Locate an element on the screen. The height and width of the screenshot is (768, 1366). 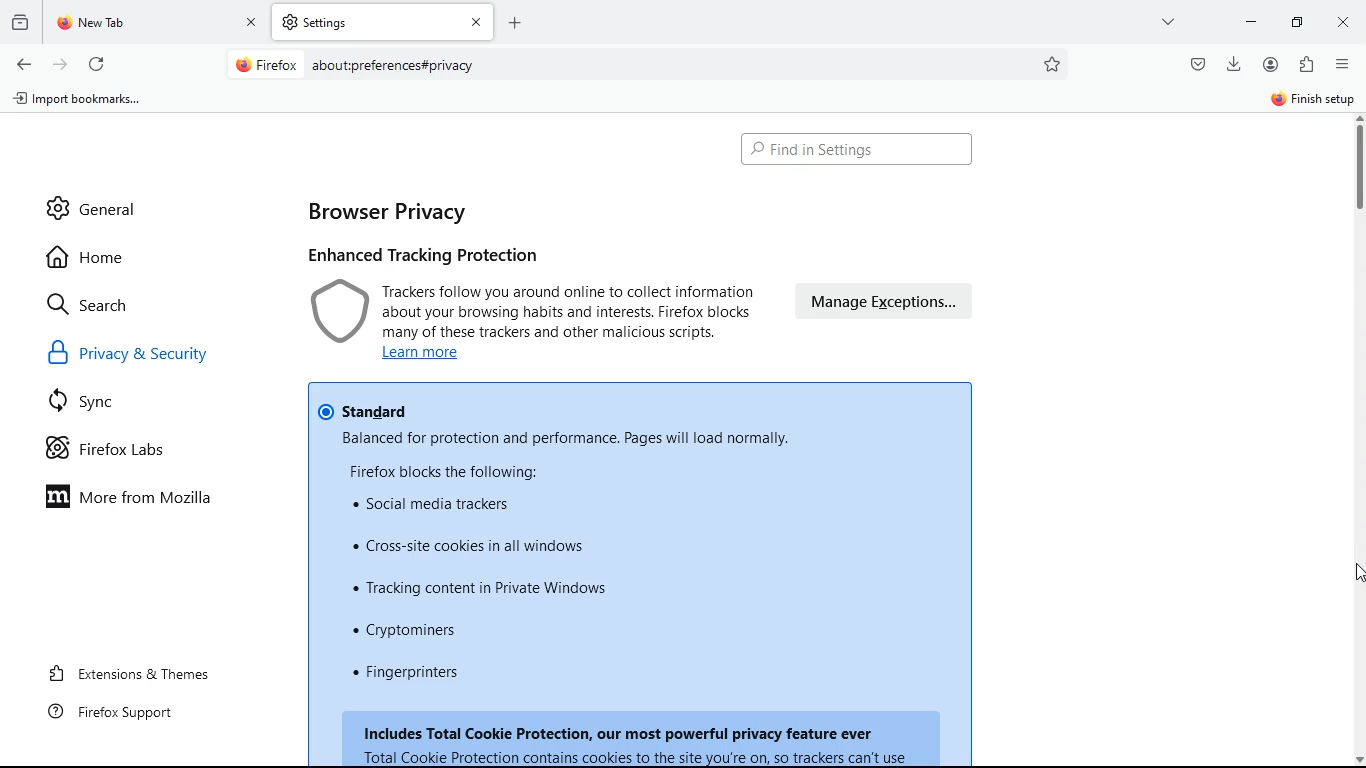
browser privacy is located at coordinates (392, 211).